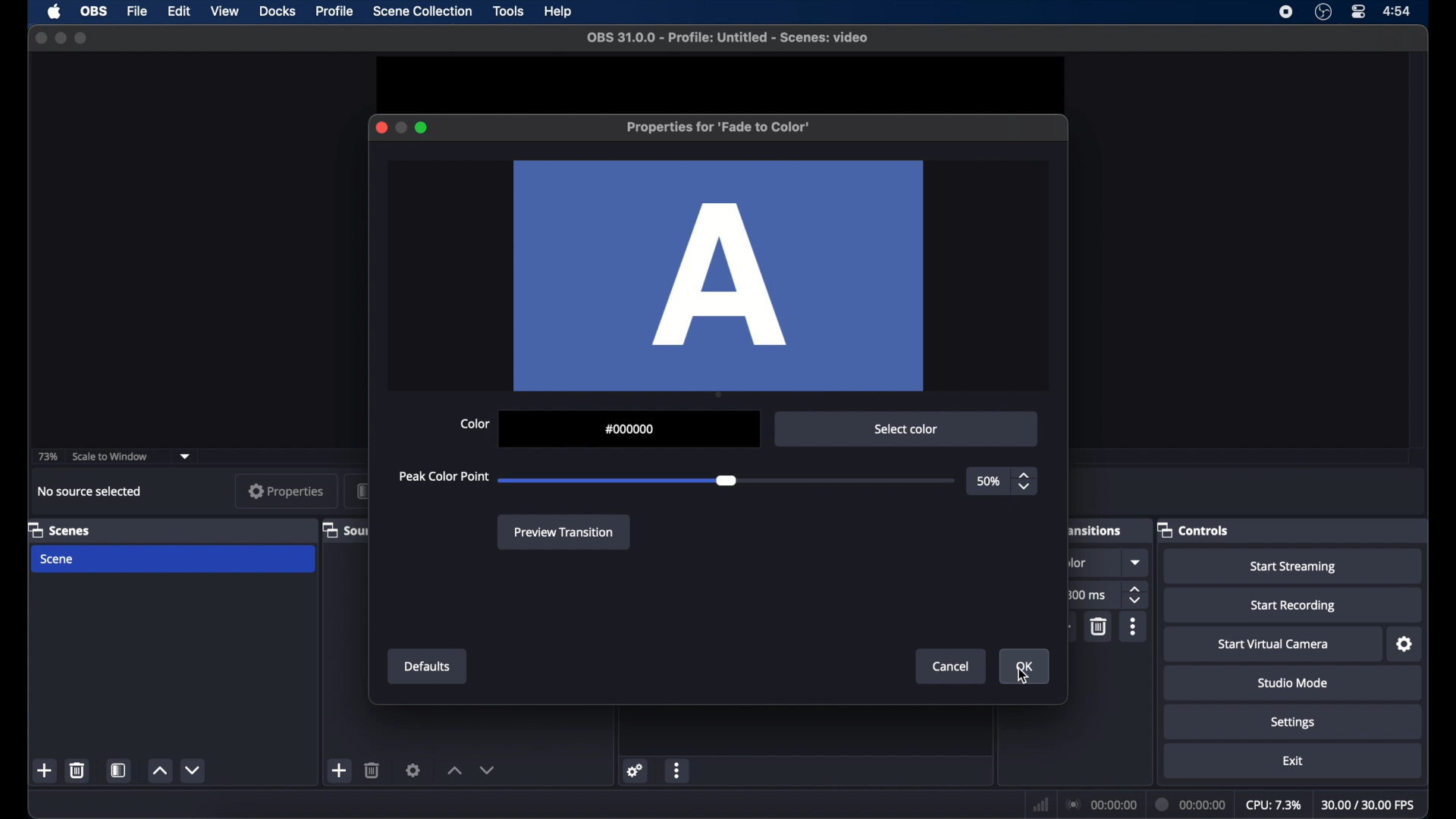 The height and width of the screenshot is (819, 1456). Describe the element at coordinates (1294, 761) in the screenshot. I see `exit` at that location.